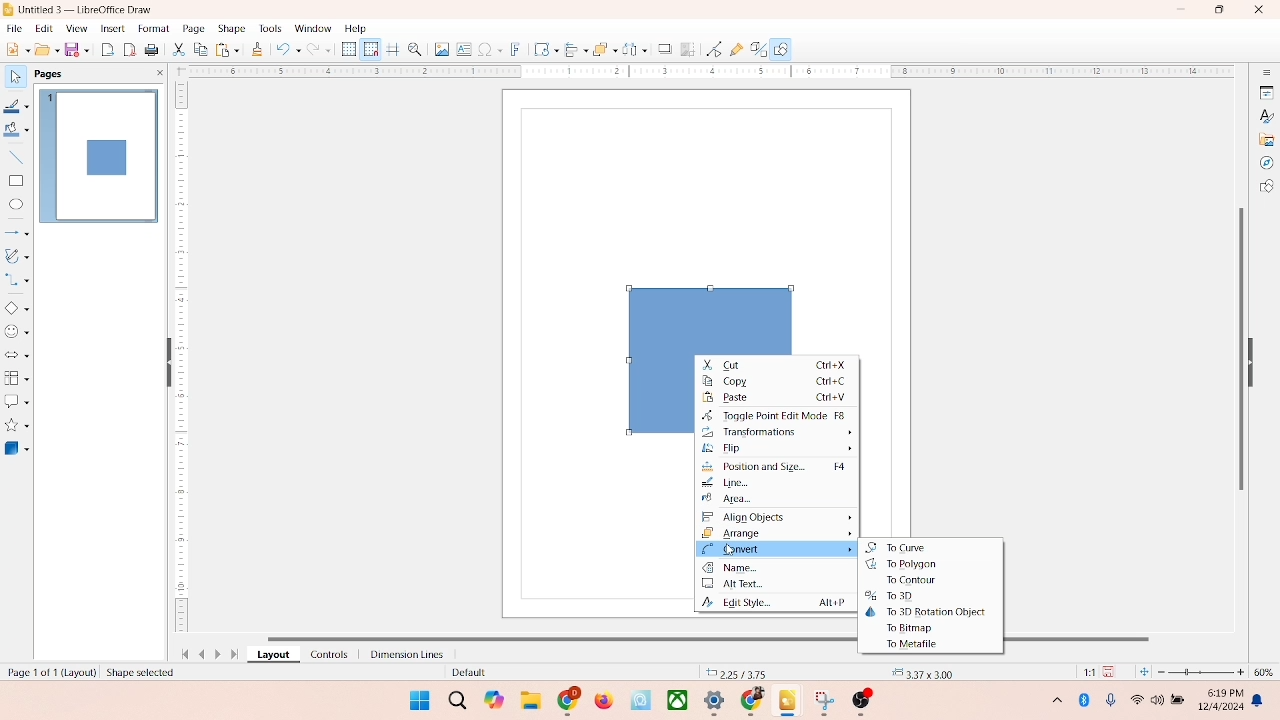 This screenshot has height=720, width=1280. Describe the element at coordinates (15, 26) in the screenshot. I see `file` at that location.